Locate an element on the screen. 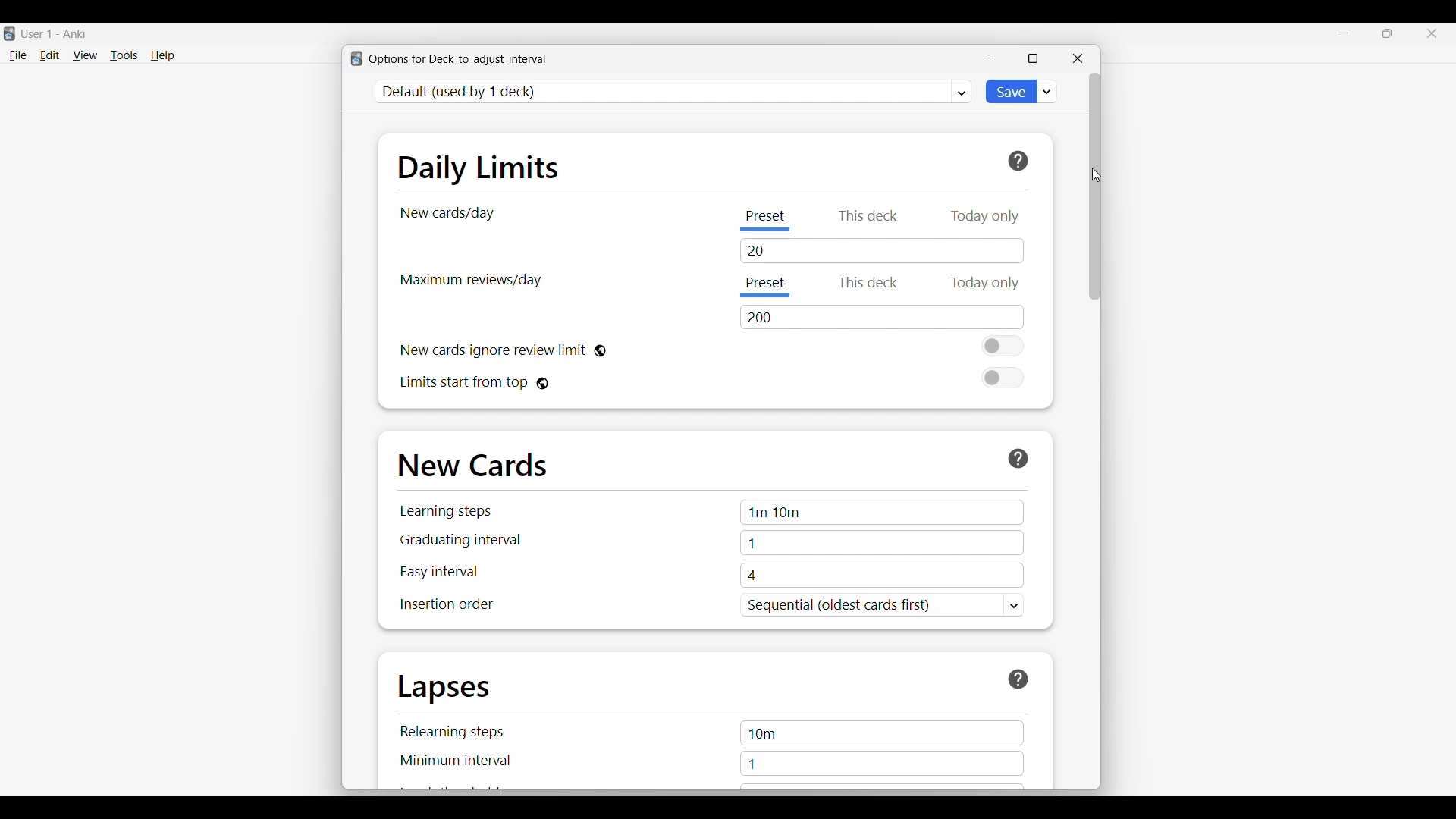 This screenshot has height=819, width=1456. Minimize window is located at coordinates (989, 58).